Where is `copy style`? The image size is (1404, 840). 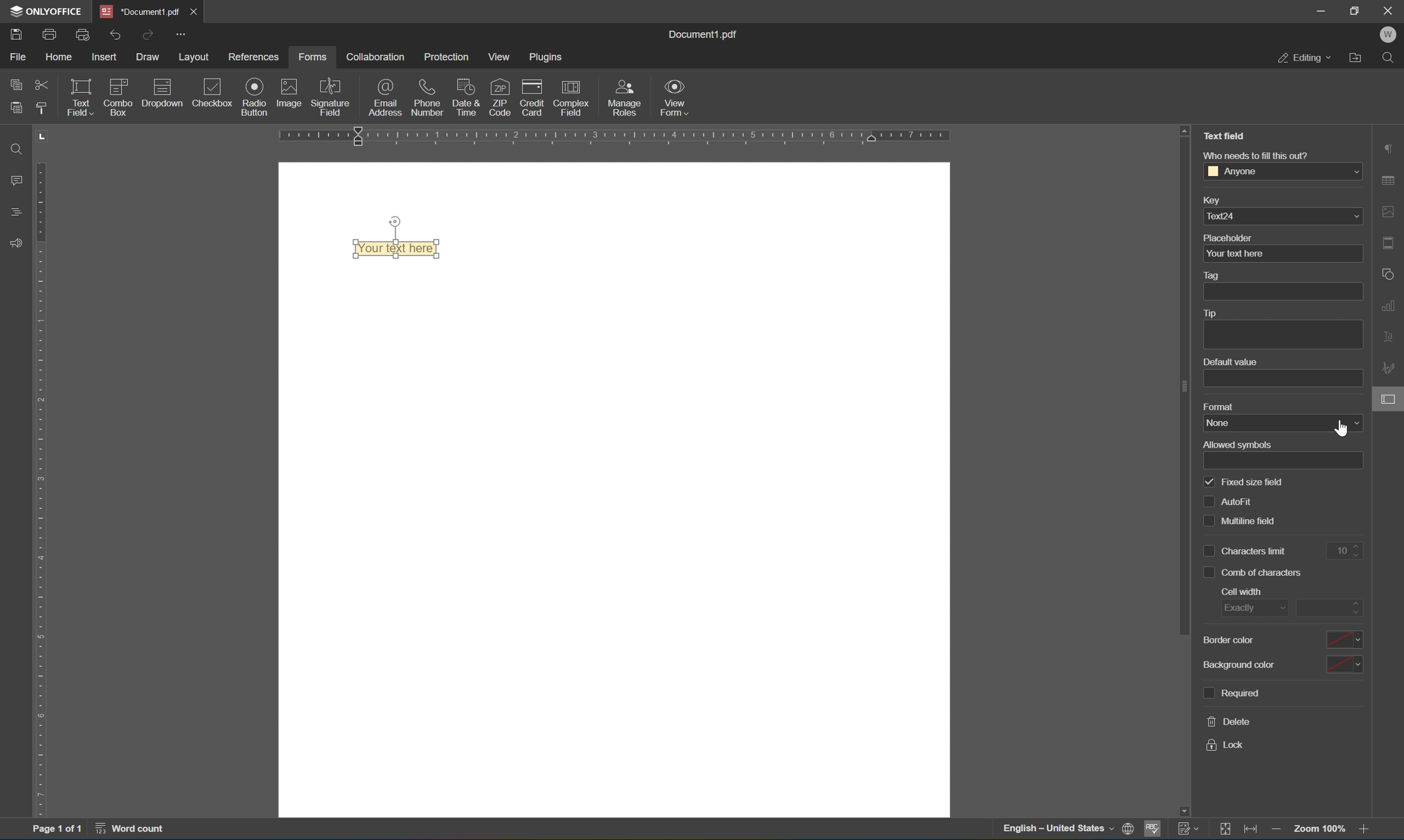 copy style is located at coordinates (40, 108).